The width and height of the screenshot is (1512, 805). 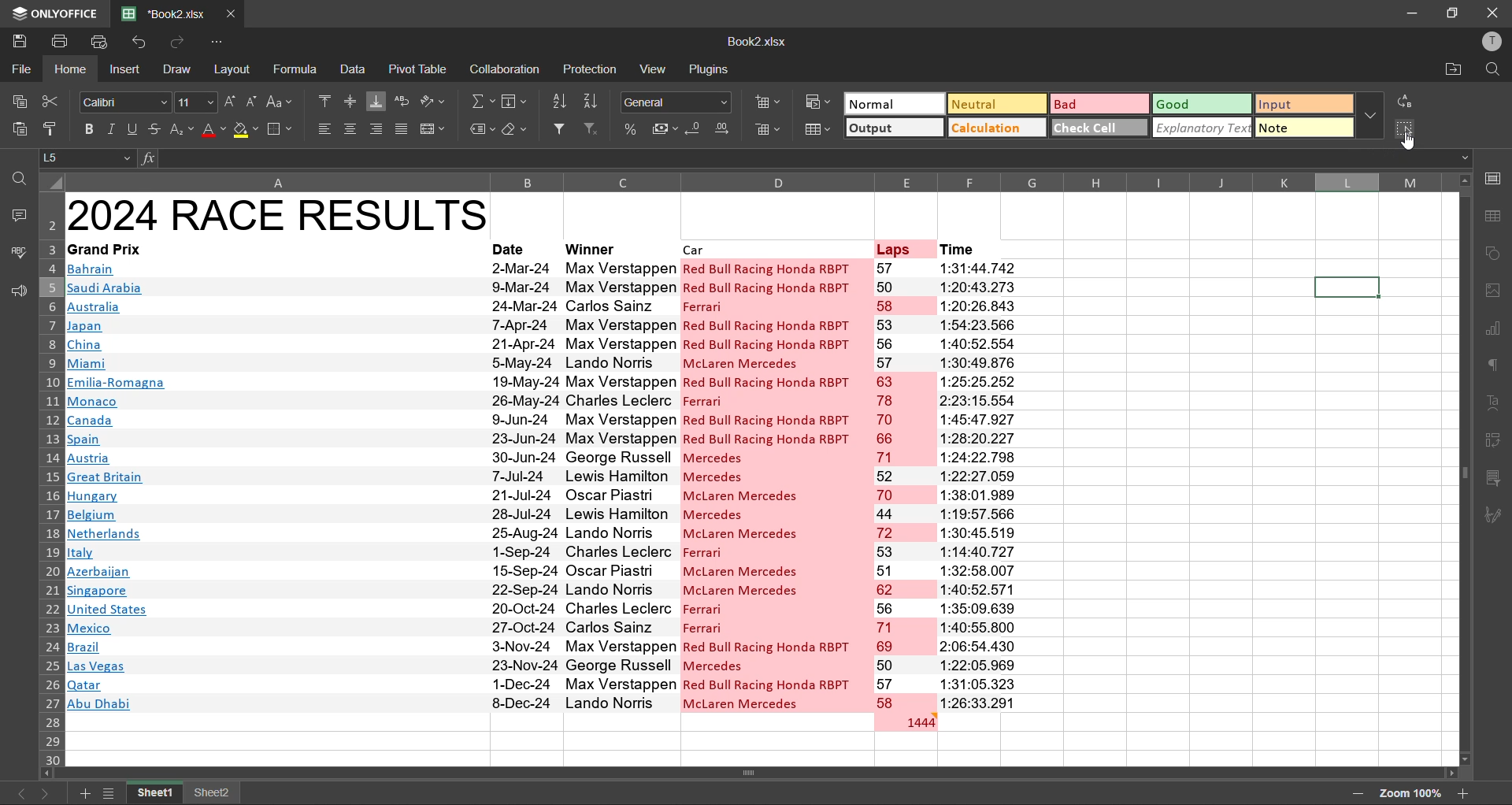 What do you see at coordinates (695, 130) in the screenshot?
I see `decrease decimal` at bounding box center [695, 130].